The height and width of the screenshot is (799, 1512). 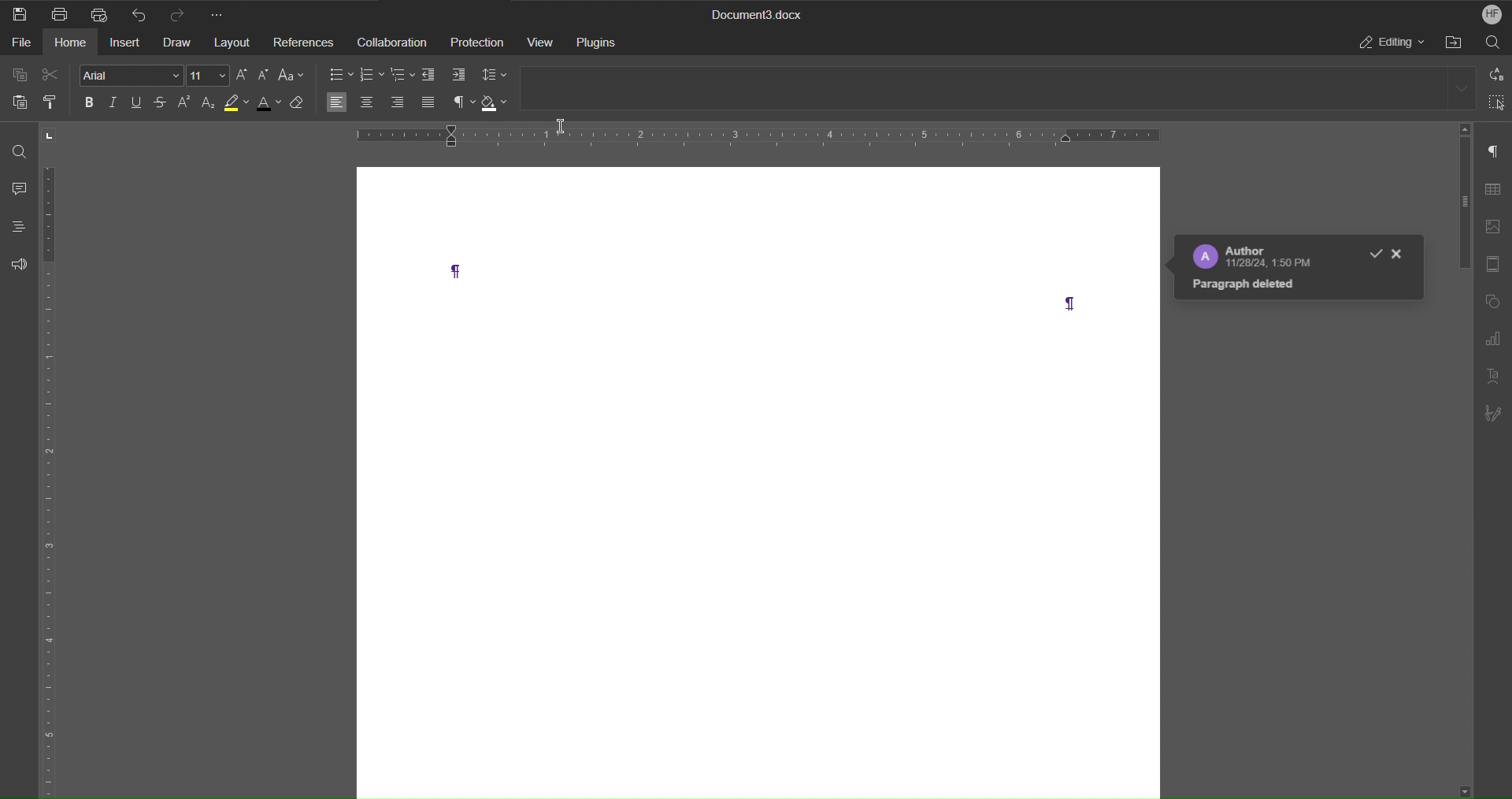 I want to click on Increase indent, so click(x=458, y=73).